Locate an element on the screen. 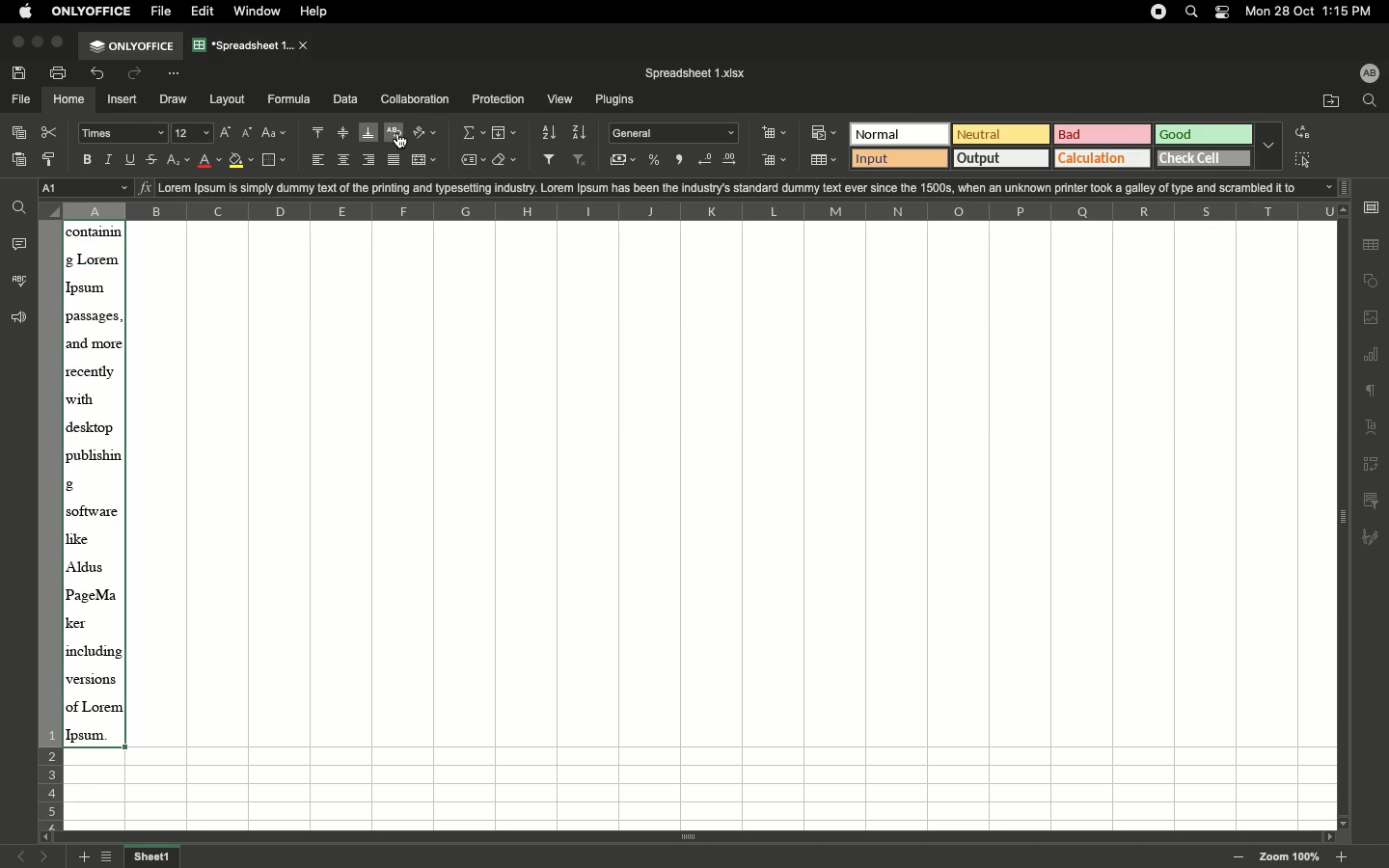 The image size is (1389, 868). Print is located at coordinates (61, 72).